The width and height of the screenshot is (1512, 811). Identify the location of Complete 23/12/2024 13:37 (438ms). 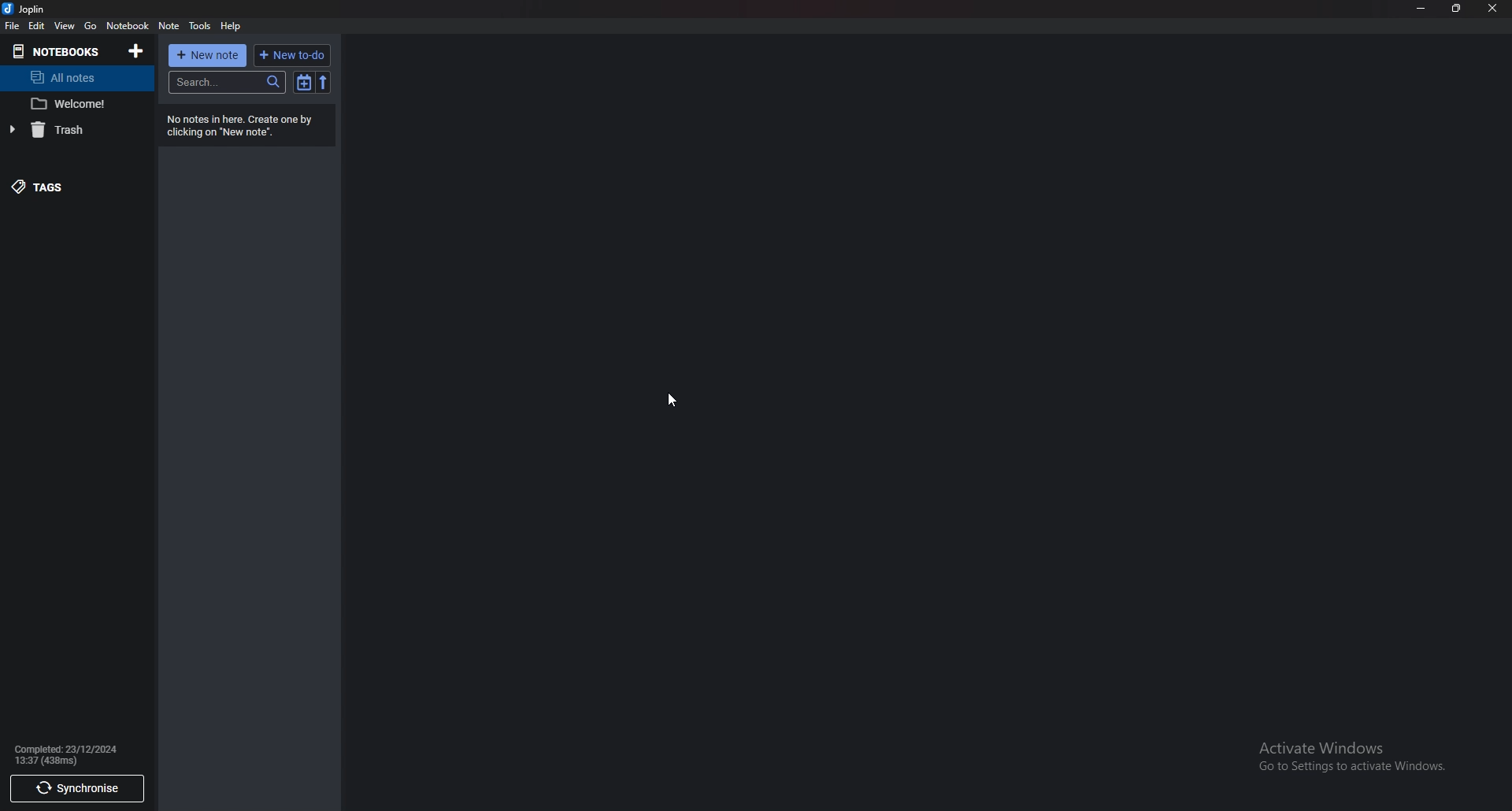
(71, 755).